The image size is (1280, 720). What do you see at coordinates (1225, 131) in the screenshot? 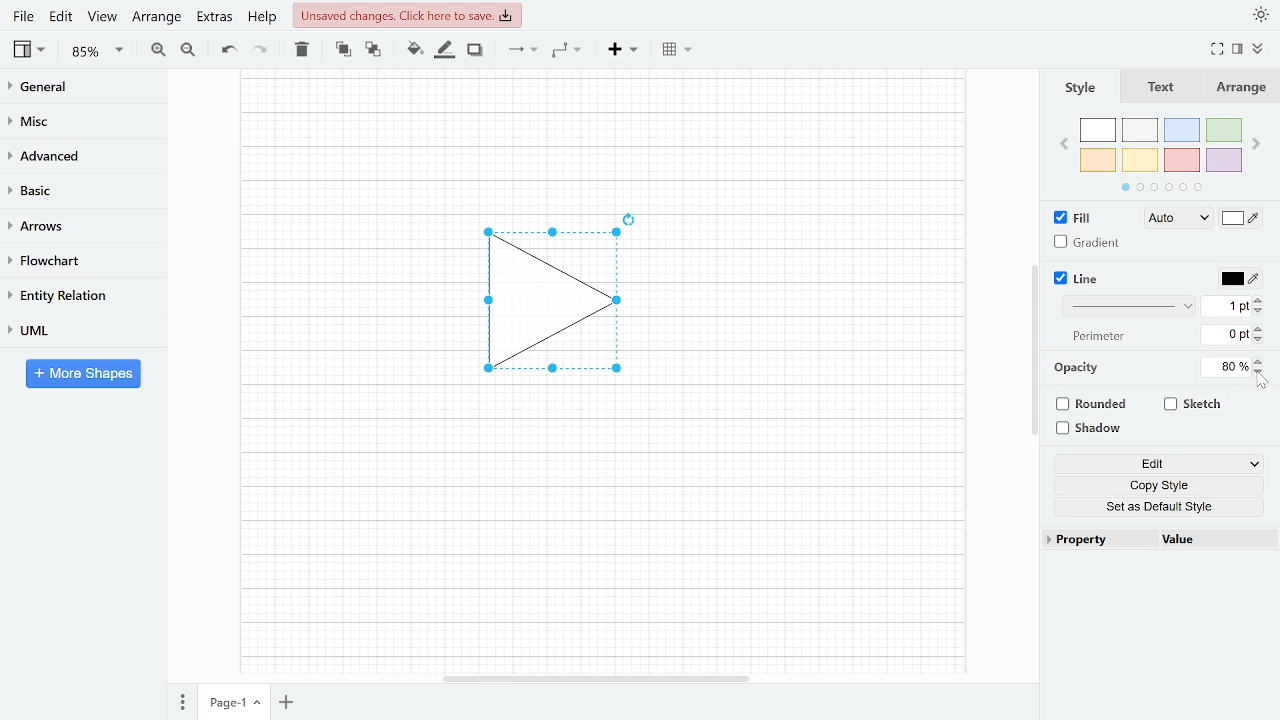
I see `green` at bounding box center [1225, 131].